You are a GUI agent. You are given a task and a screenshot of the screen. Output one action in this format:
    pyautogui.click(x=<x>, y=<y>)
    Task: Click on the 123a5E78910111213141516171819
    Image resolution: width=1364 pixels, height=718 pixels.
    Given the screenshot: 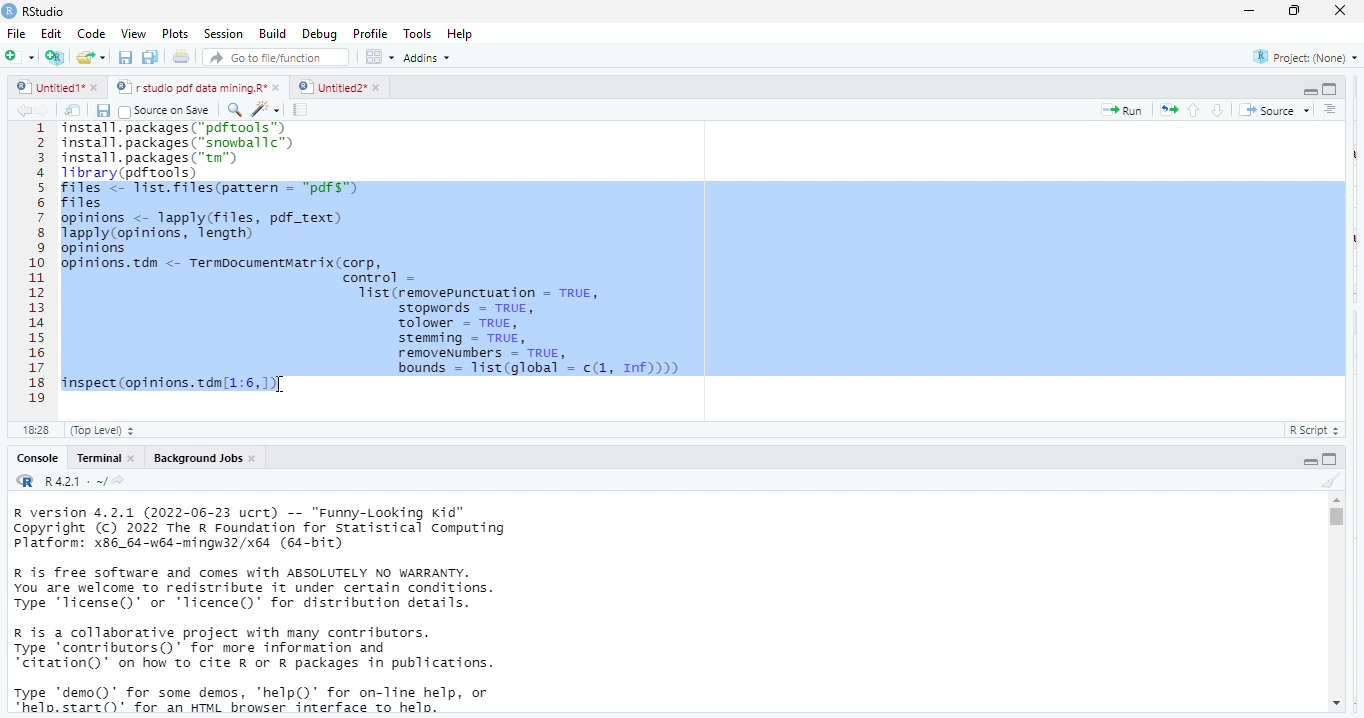 What is the action you would take?
    pyautogui.click(x=37, y=265)
    